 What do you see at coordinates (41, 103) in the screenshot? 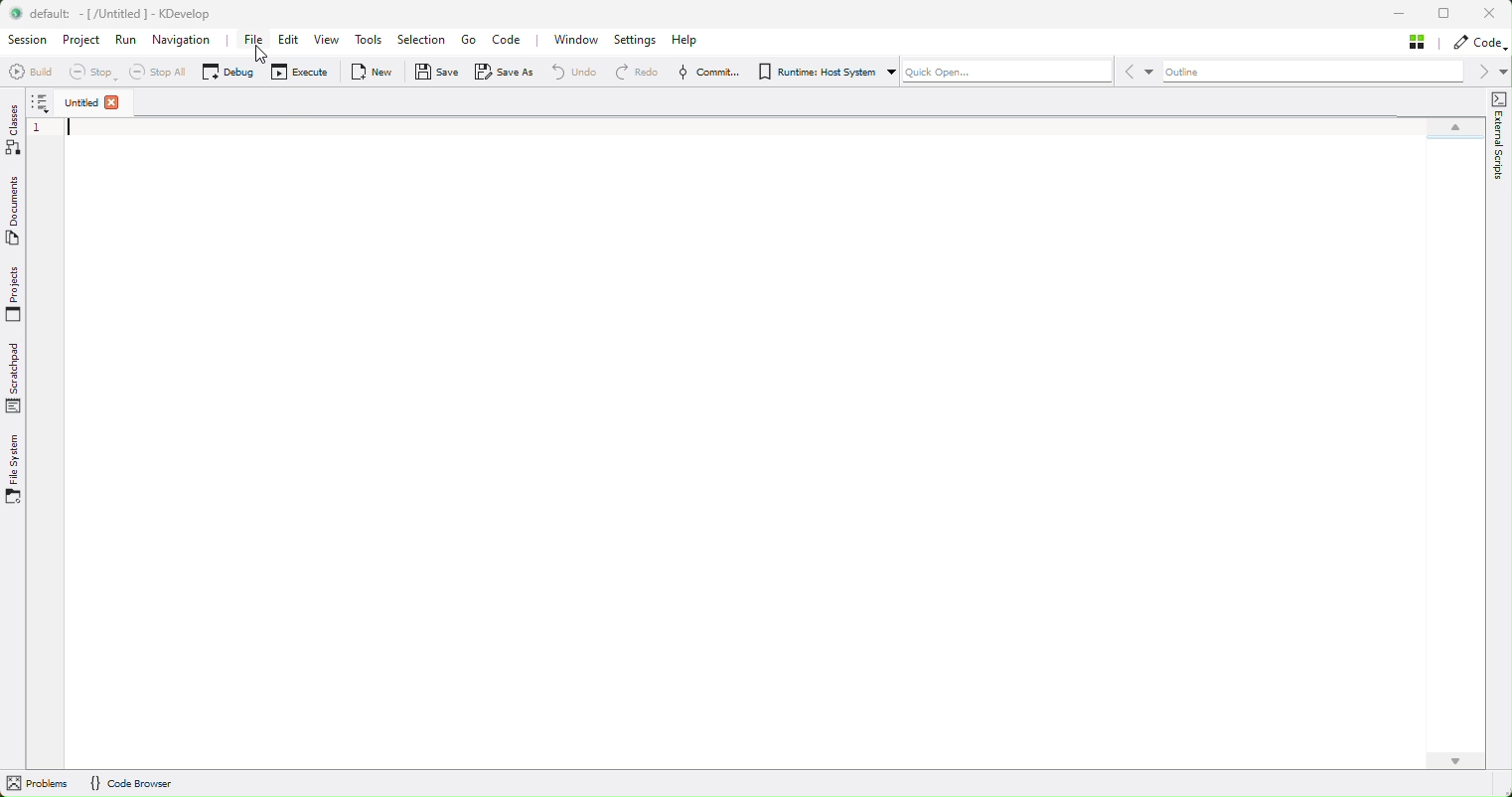
I see `more options` at bounding box center [41, 103].